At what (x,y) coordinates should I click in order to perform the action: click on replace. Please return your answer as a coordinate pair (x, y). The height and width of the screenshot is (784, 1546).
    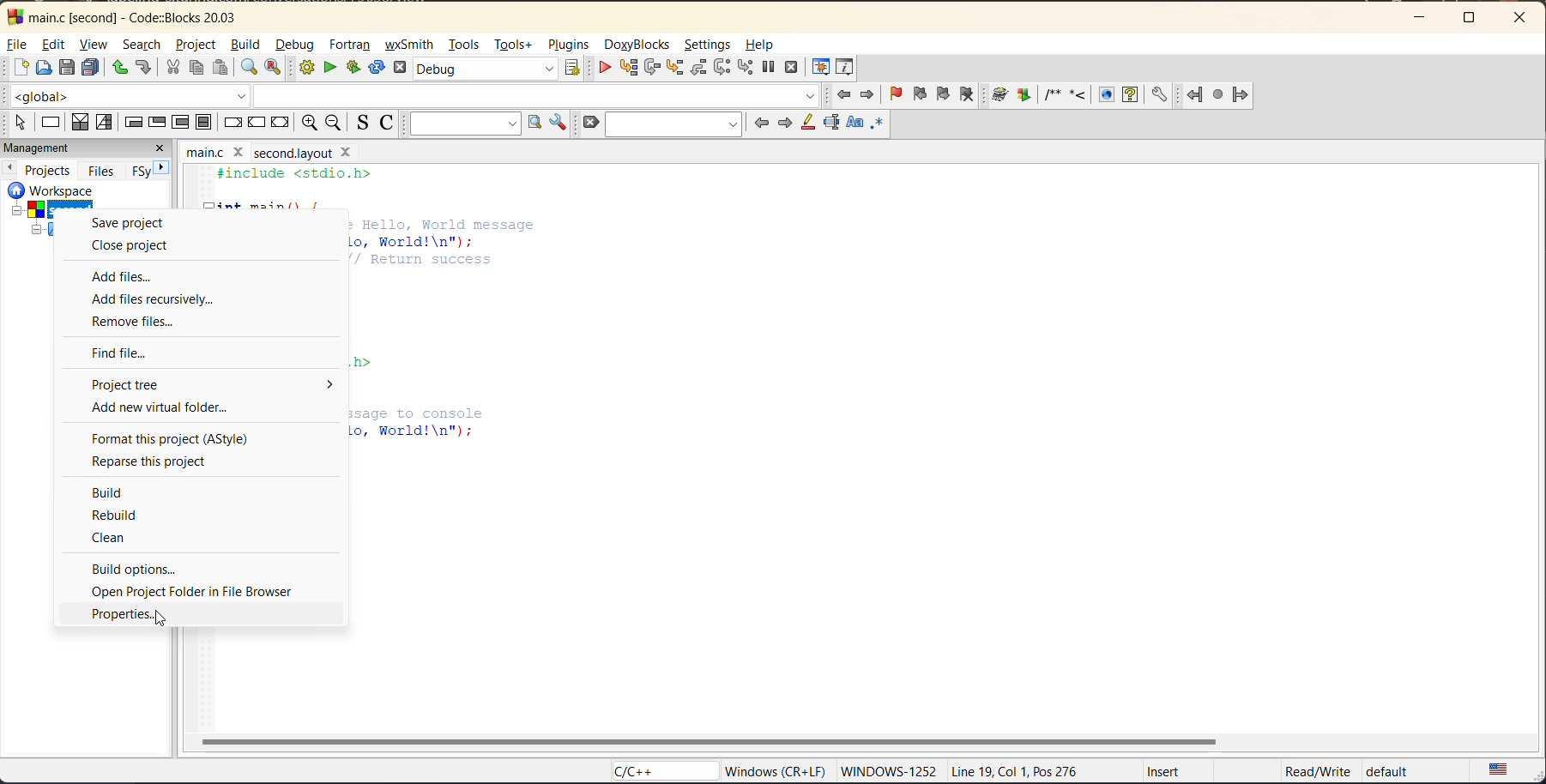
    Looking at the image, I should click on (274, 67).